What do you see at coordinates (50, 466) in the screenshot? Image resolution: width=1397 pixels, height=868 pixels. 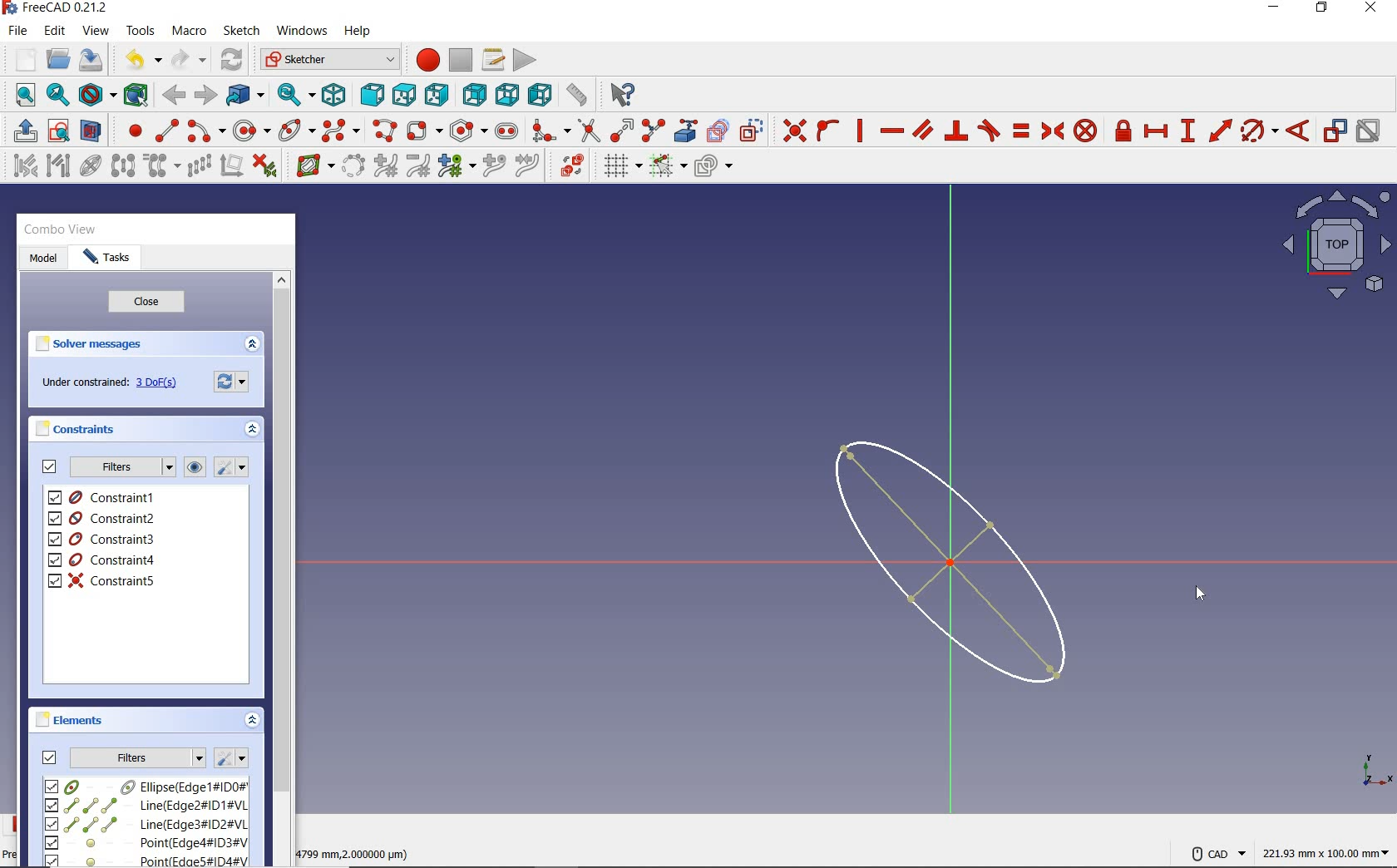 I see `check to toggle filters` at bounding box center [50, 466].